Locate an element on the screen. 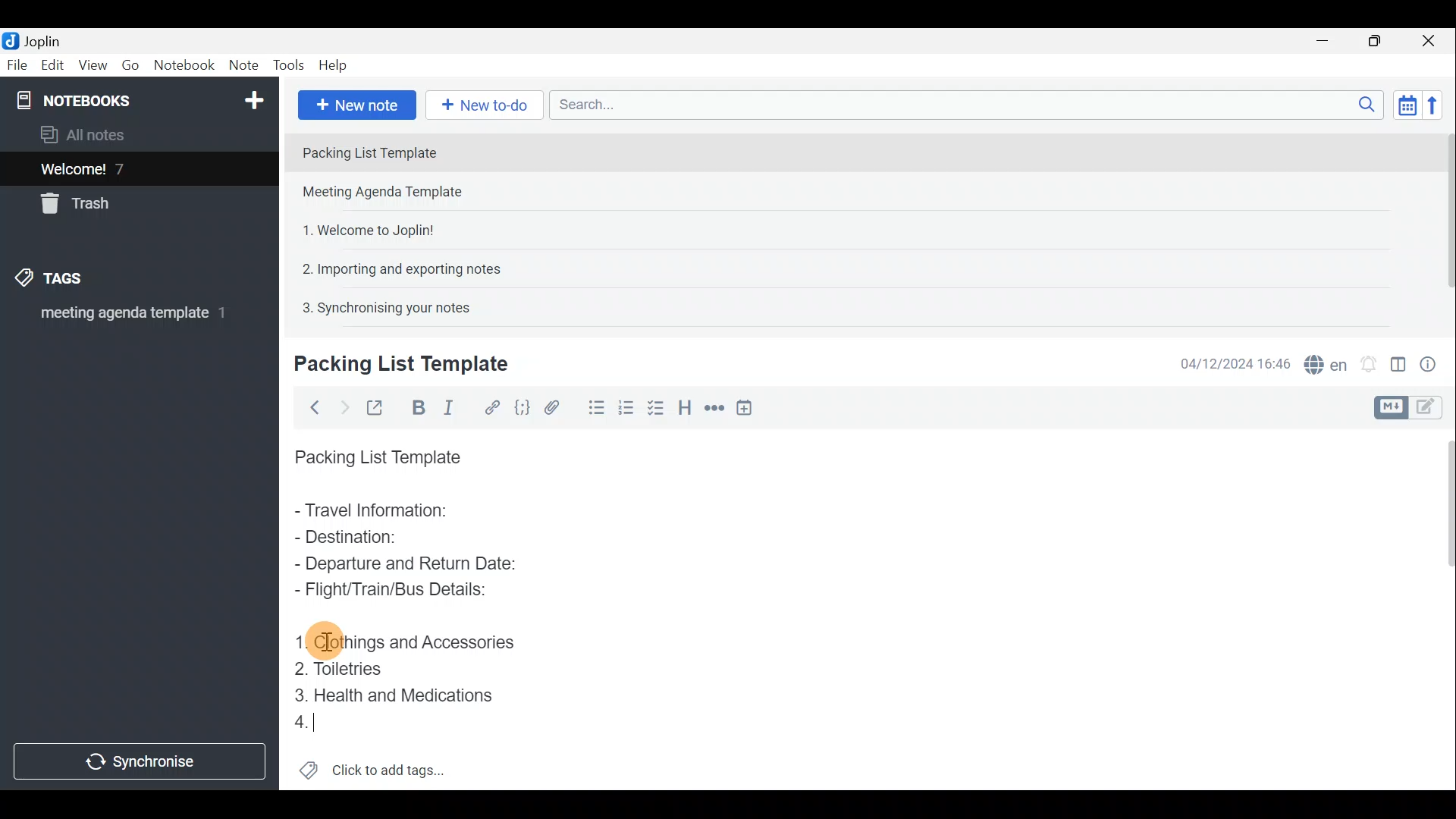 The height and width of the screenshot is (819, 1456). Heading is located at coordinates (686, 406).